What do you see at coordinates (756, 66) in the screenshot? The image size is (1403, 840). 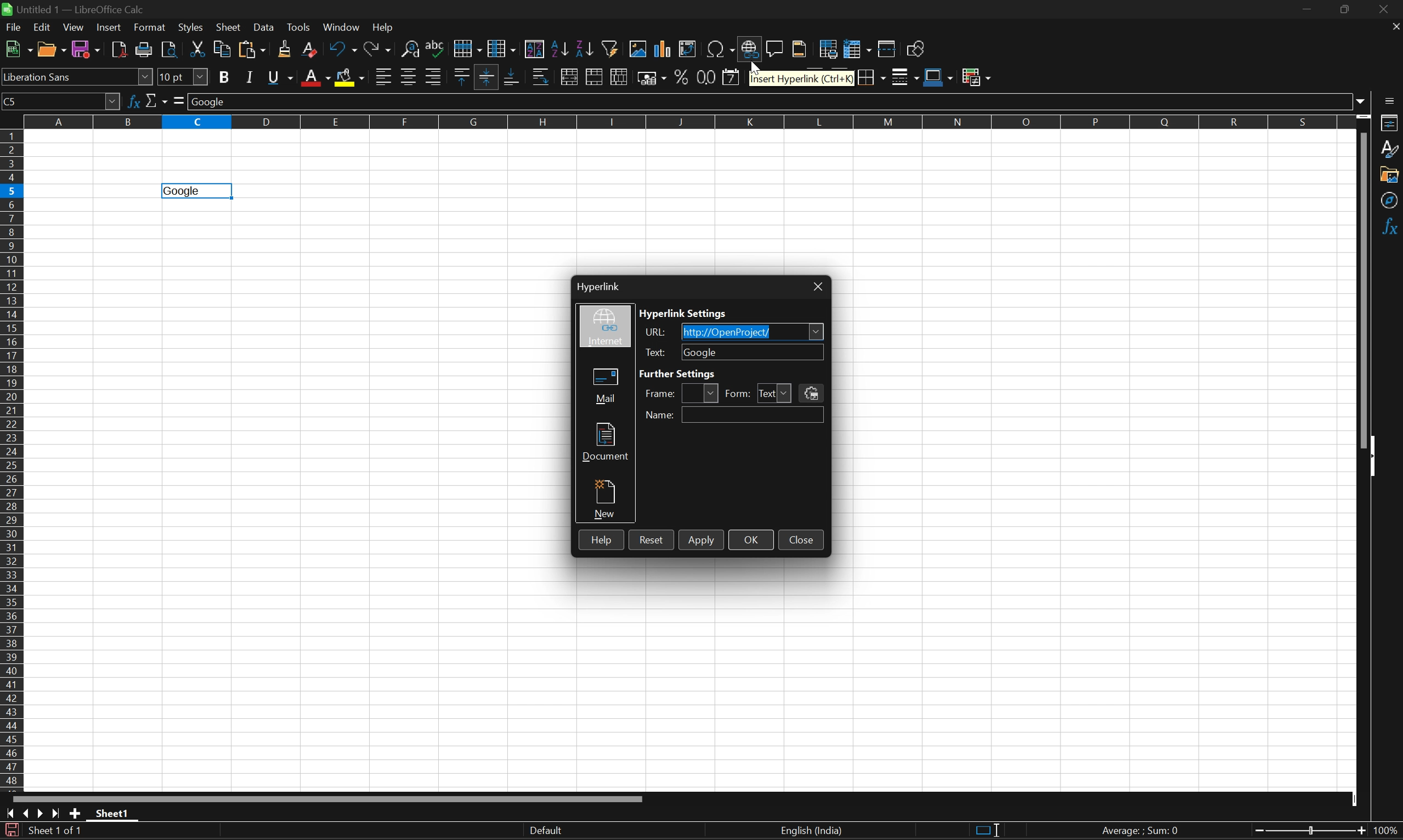 I see `Cursor` at bounding box center [756, 66].